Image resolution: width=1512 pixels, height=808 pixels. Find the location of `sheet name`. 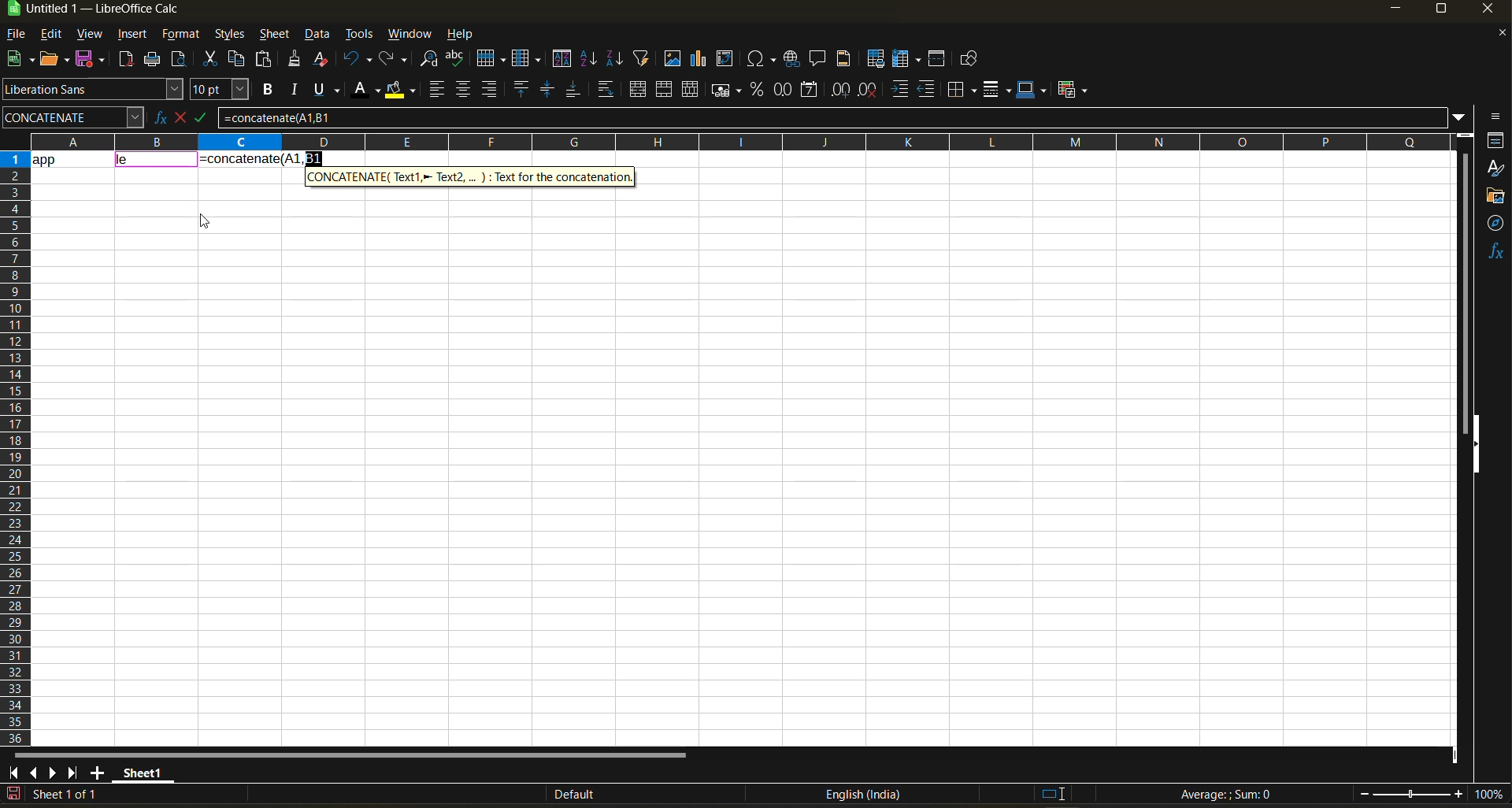

sheet name is located at coordinates (140, 770).